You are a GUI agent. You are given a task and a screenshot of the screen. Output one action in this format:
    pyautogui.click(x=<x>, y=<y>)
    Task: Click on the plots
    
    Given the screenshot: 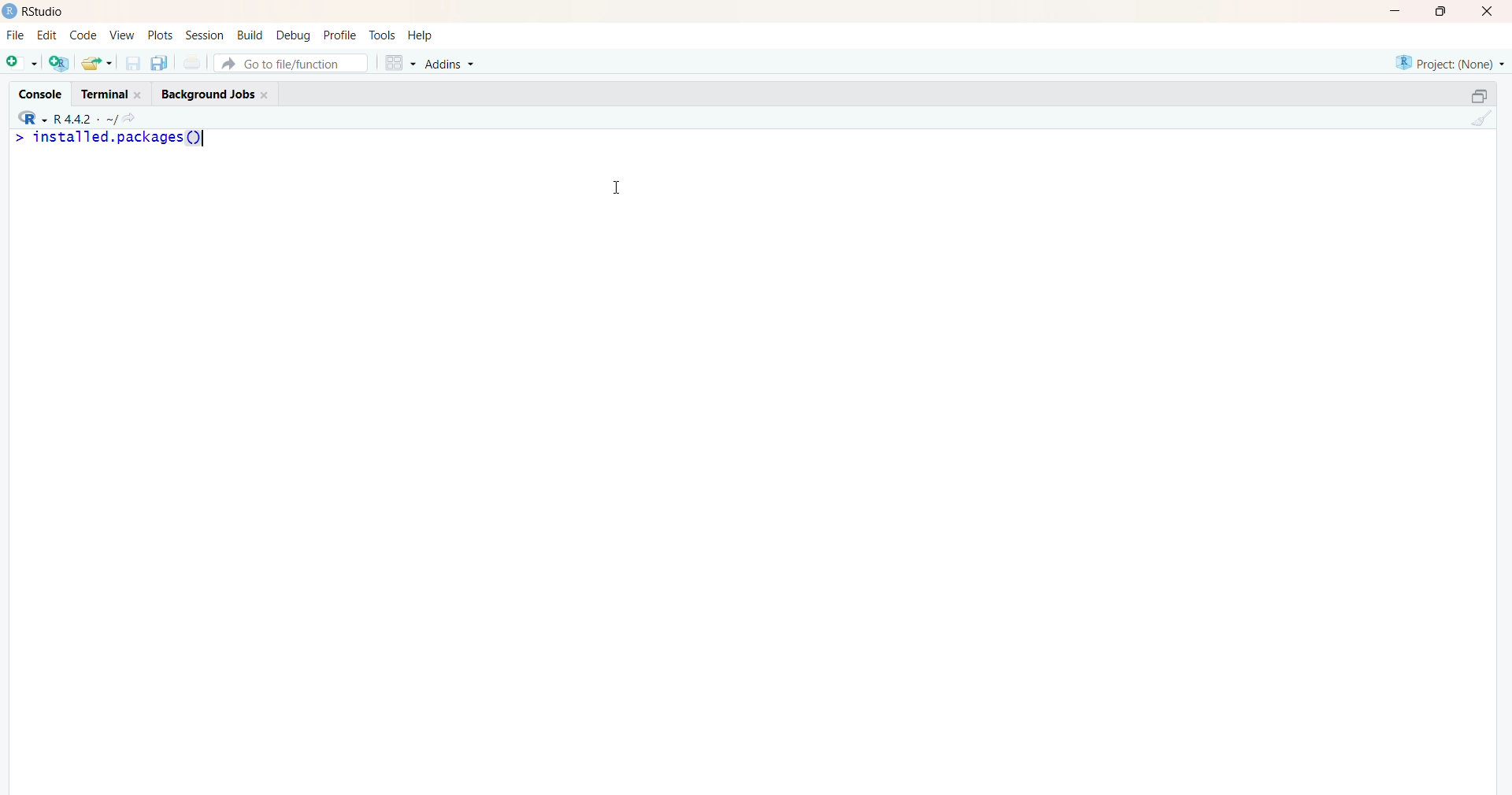 What is the action you would take?
    pyautogui.click(x=158, y=34)
    